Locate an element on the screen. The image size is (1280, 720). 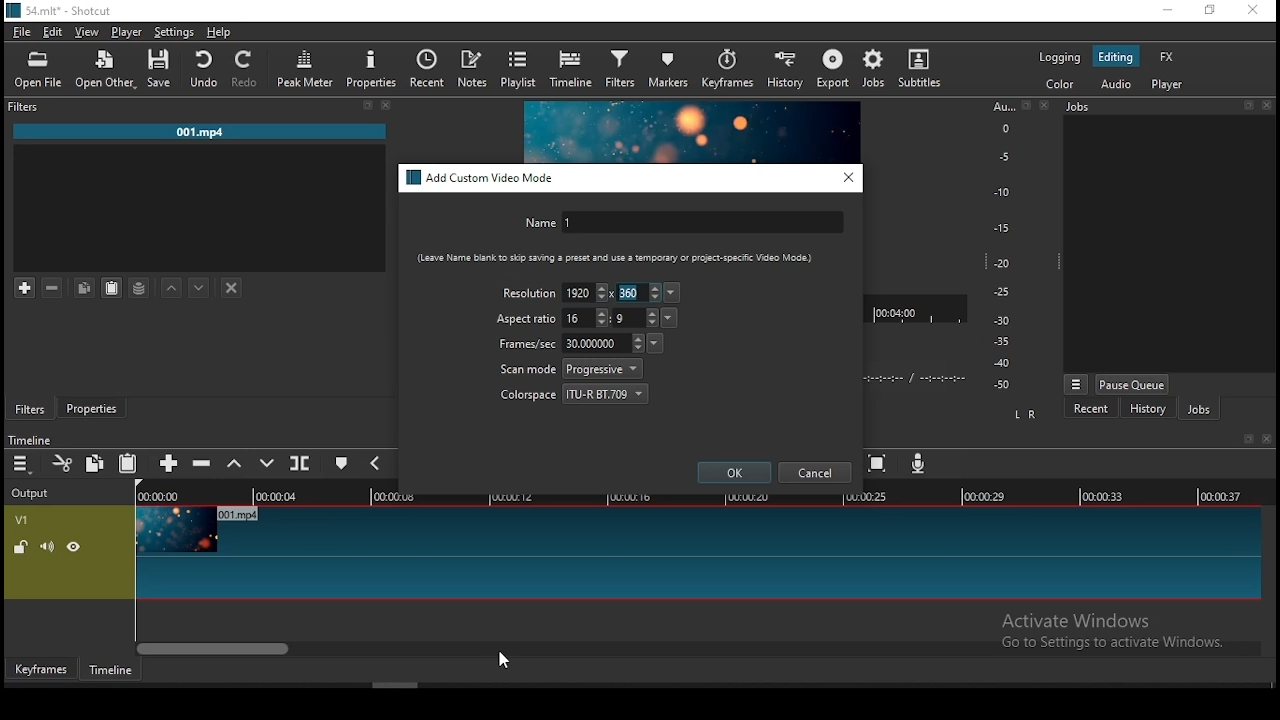
move filter down is located at coordinates (199, 288).